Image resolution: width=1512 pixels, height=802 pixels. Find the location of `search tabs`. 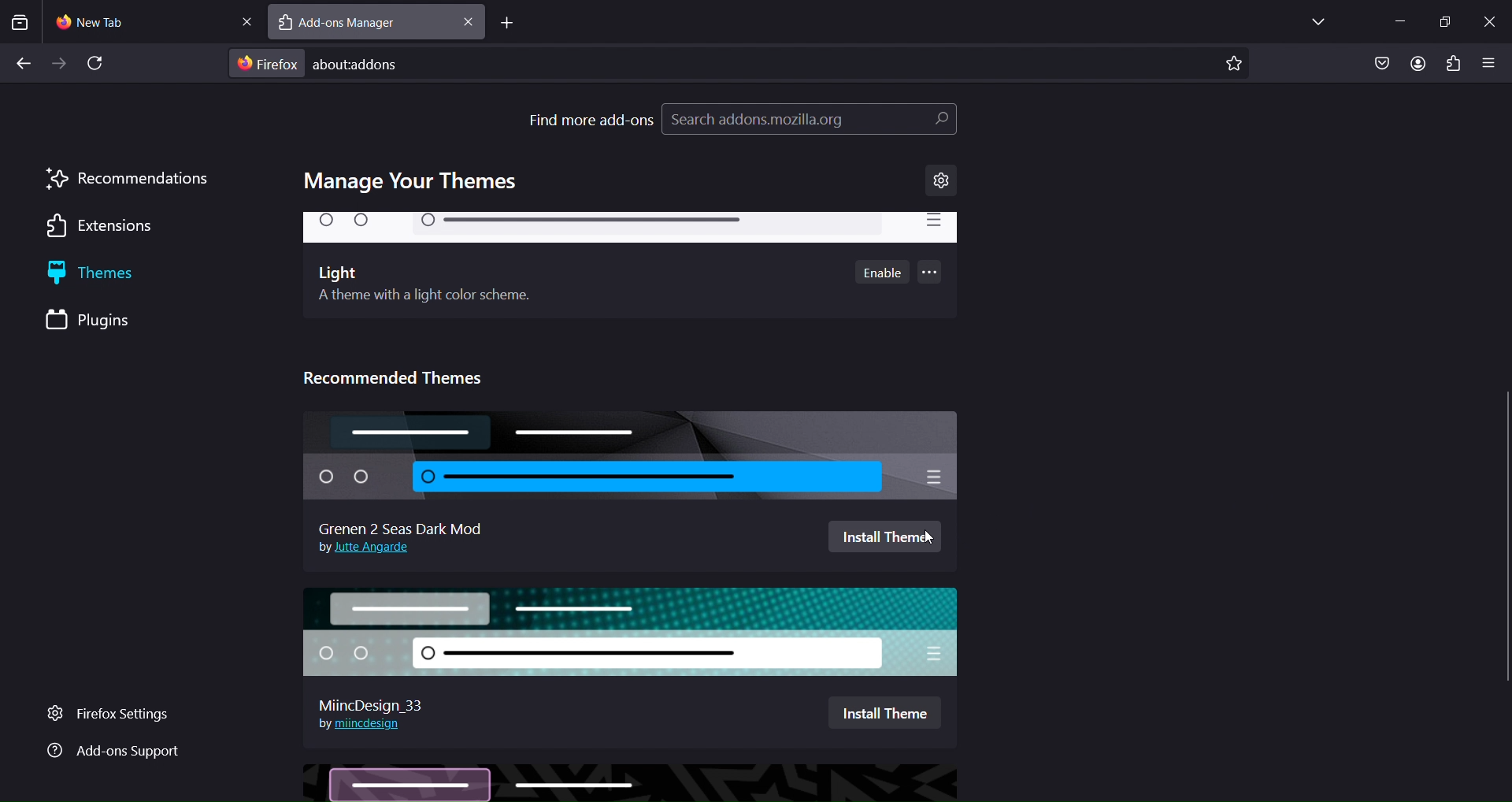

search tabs is located at coordinates (20, 22).